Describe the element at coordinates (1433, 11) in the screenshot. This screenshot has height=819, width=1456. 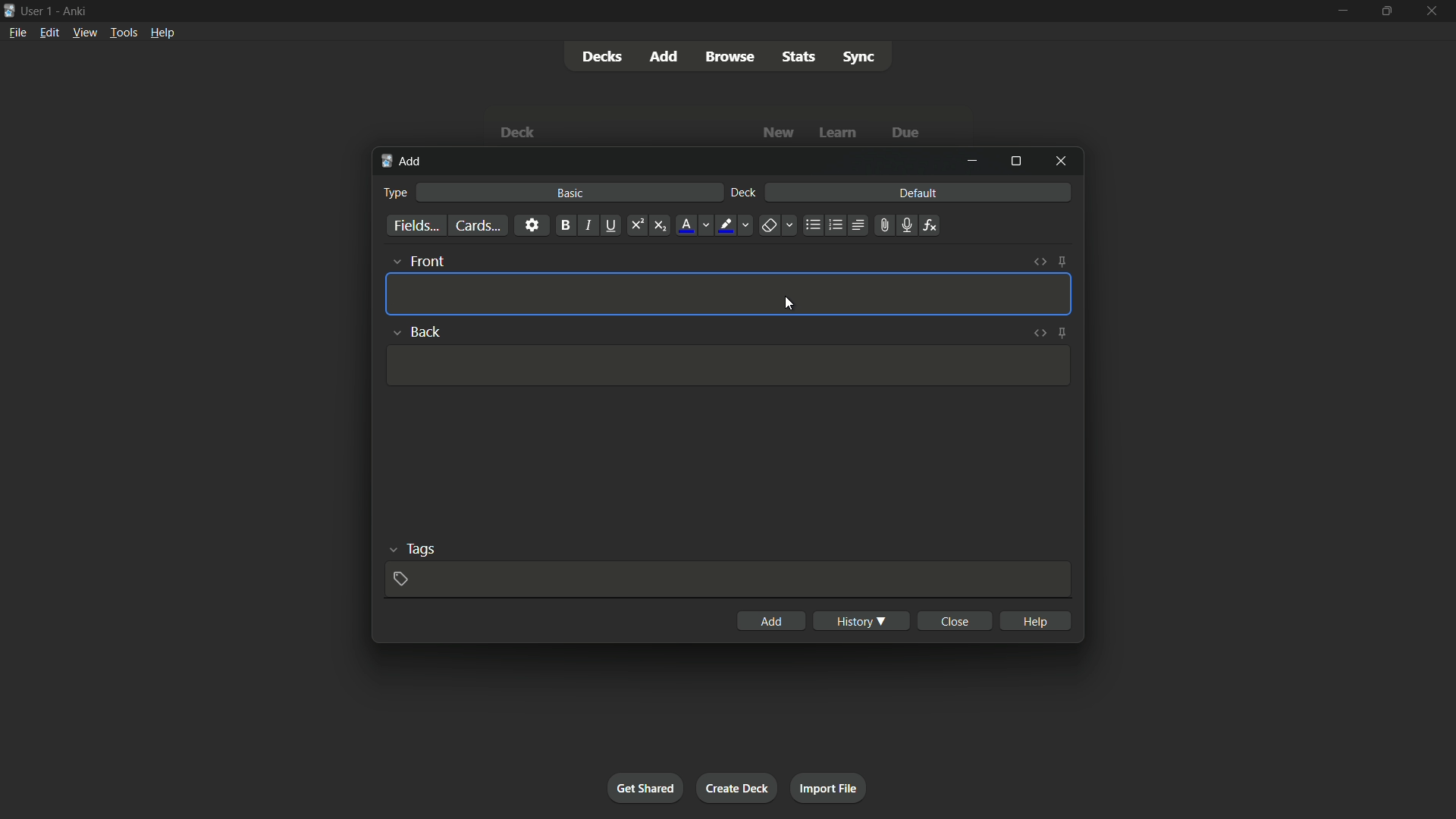
I see `close app` at that location.